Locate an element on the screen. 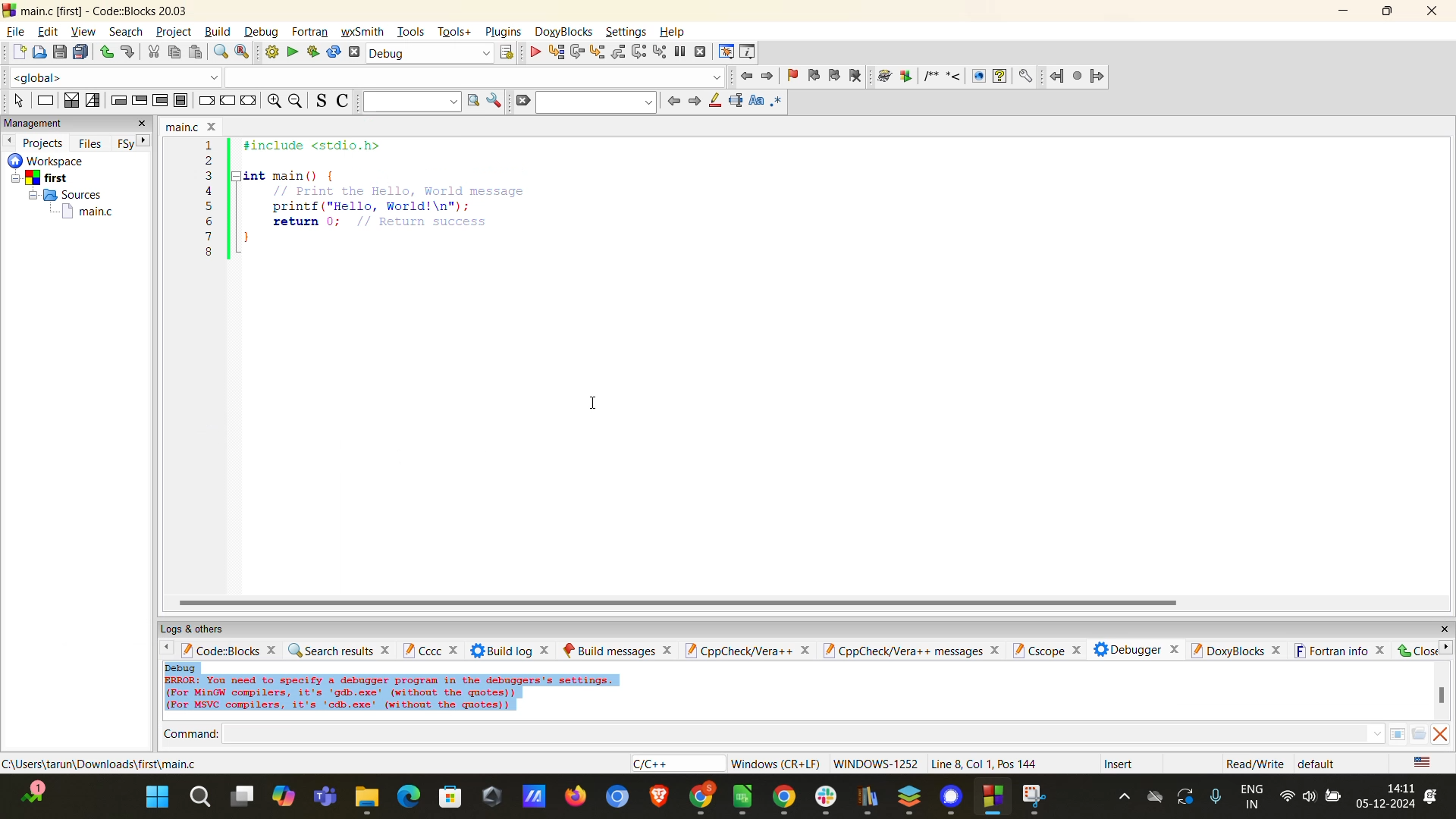 Image resolution: width=1456 pixels, height=819 pixels. cppcheck/vera++ is located at coordinates (747, 648).